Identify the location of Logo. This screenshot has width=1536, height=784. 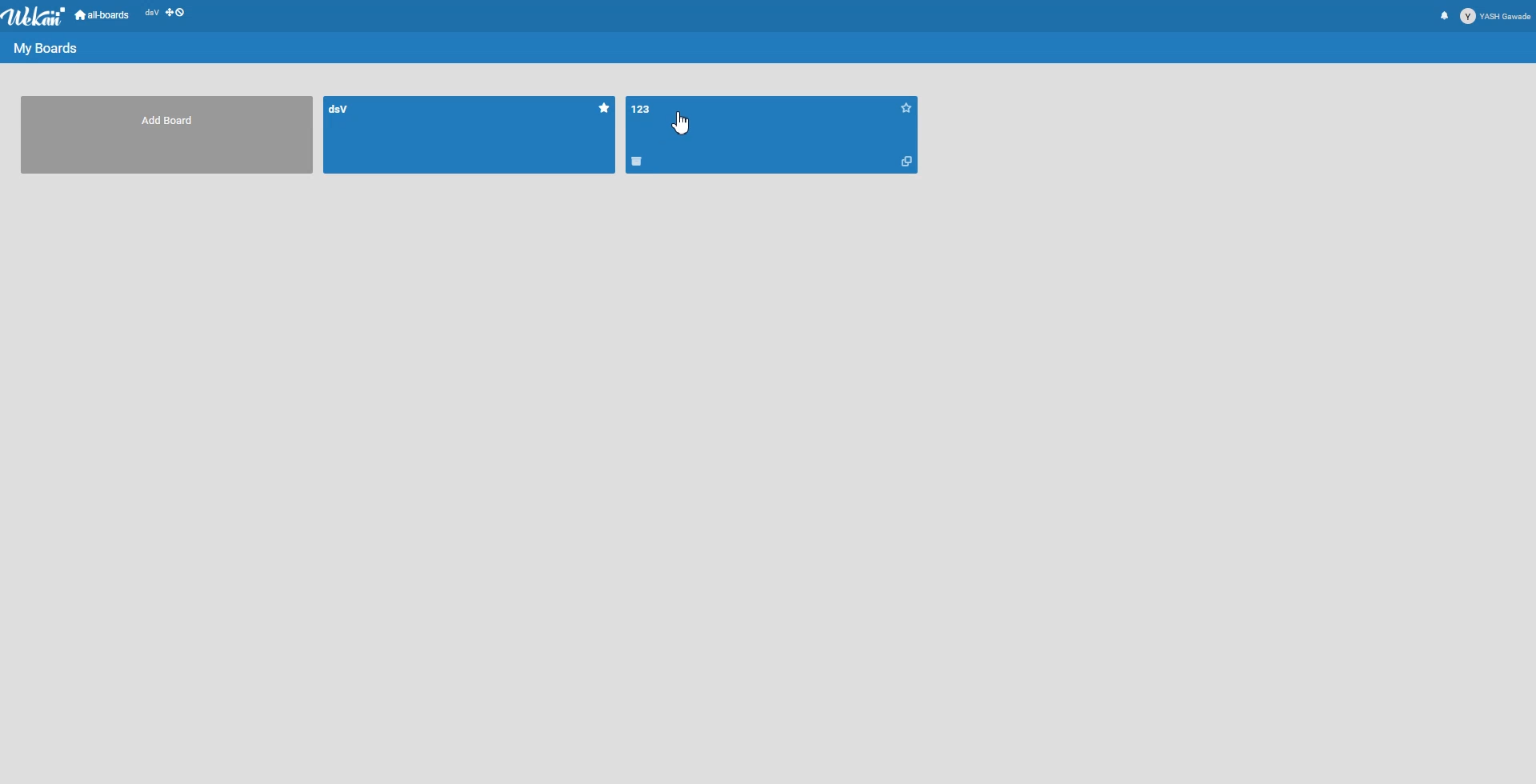
(35, 16).